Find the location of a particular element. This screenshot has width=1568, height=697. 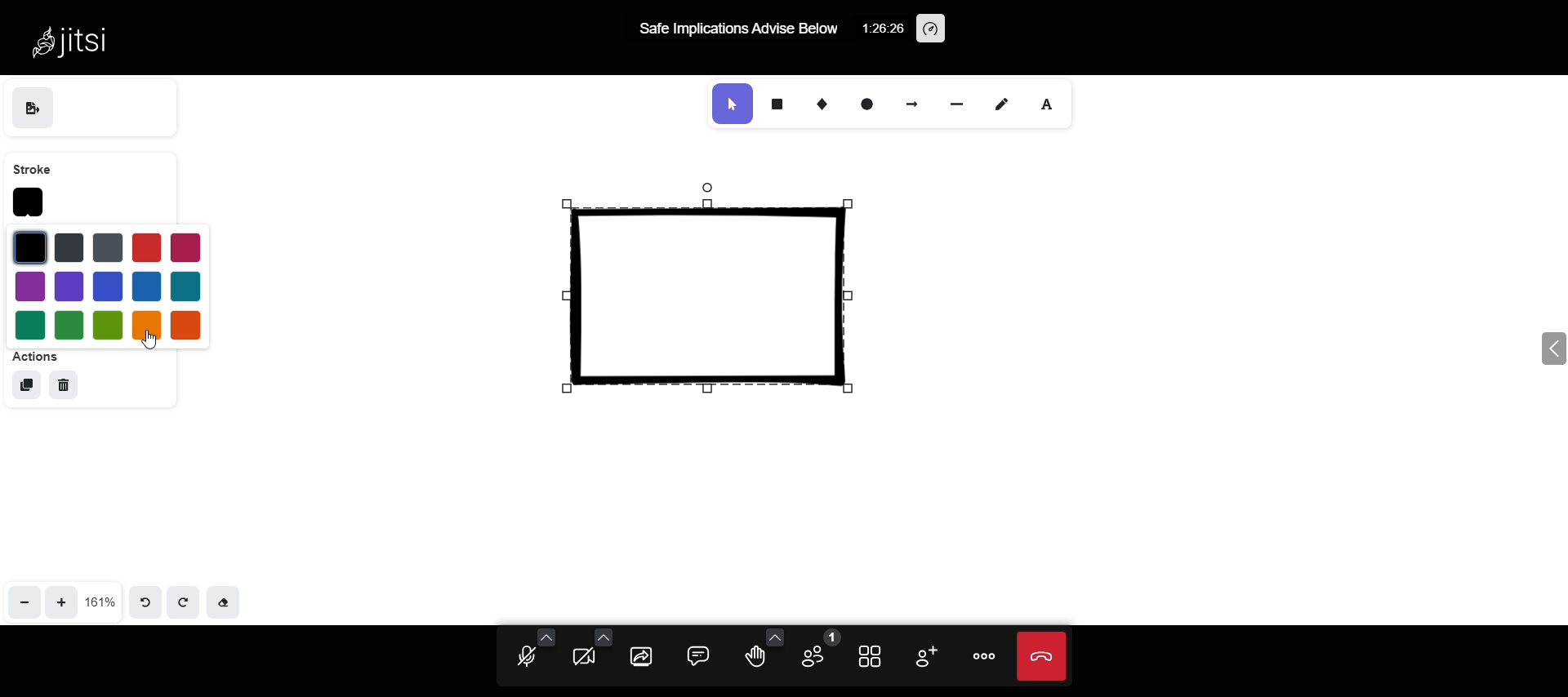

blue 4 is located at coordinates (145, 286).